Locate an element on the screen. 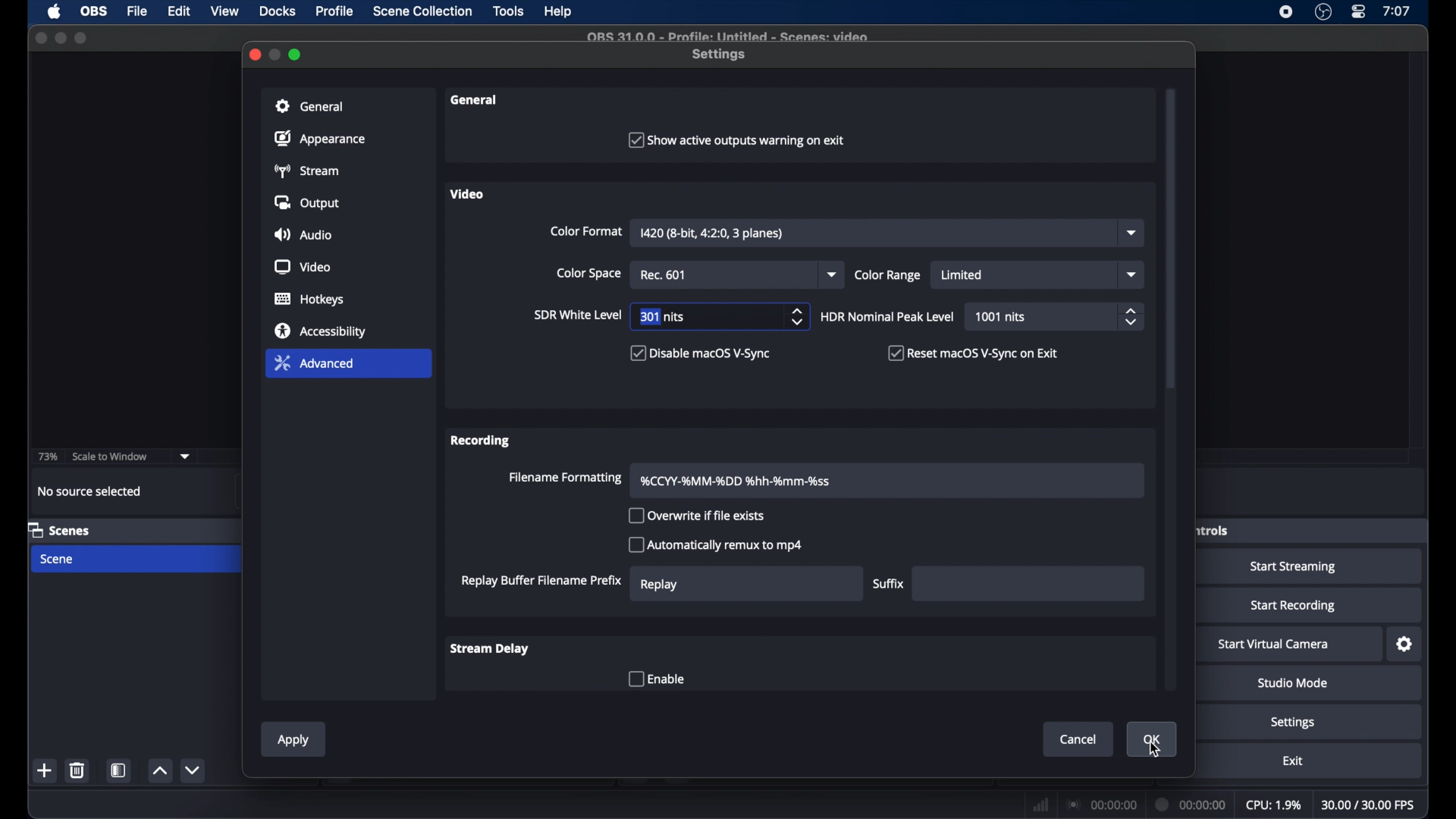 The image size is (1456, 819). video is located at coordinates (303, 267).